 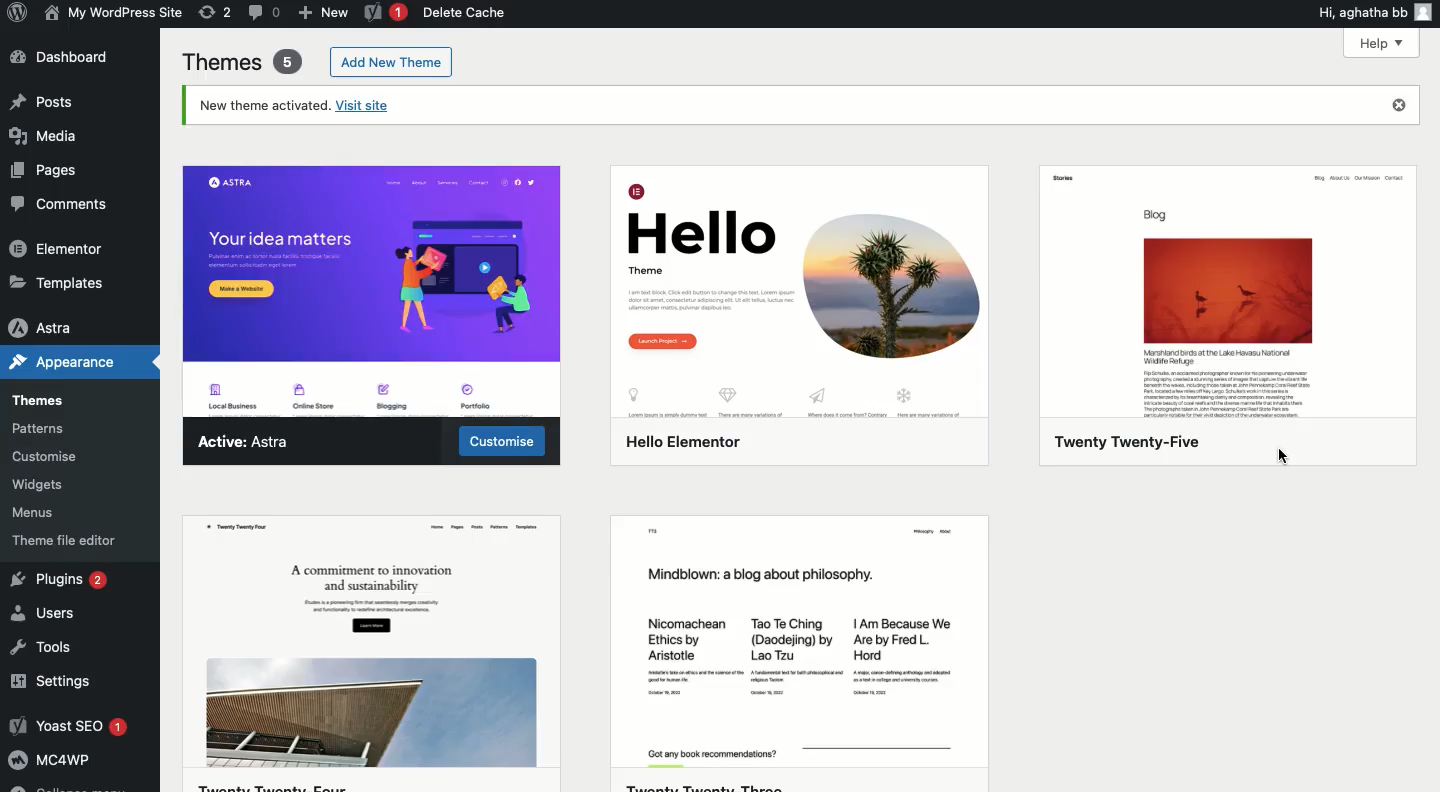 I want to click on  Astra, so click(x=52, y=328).